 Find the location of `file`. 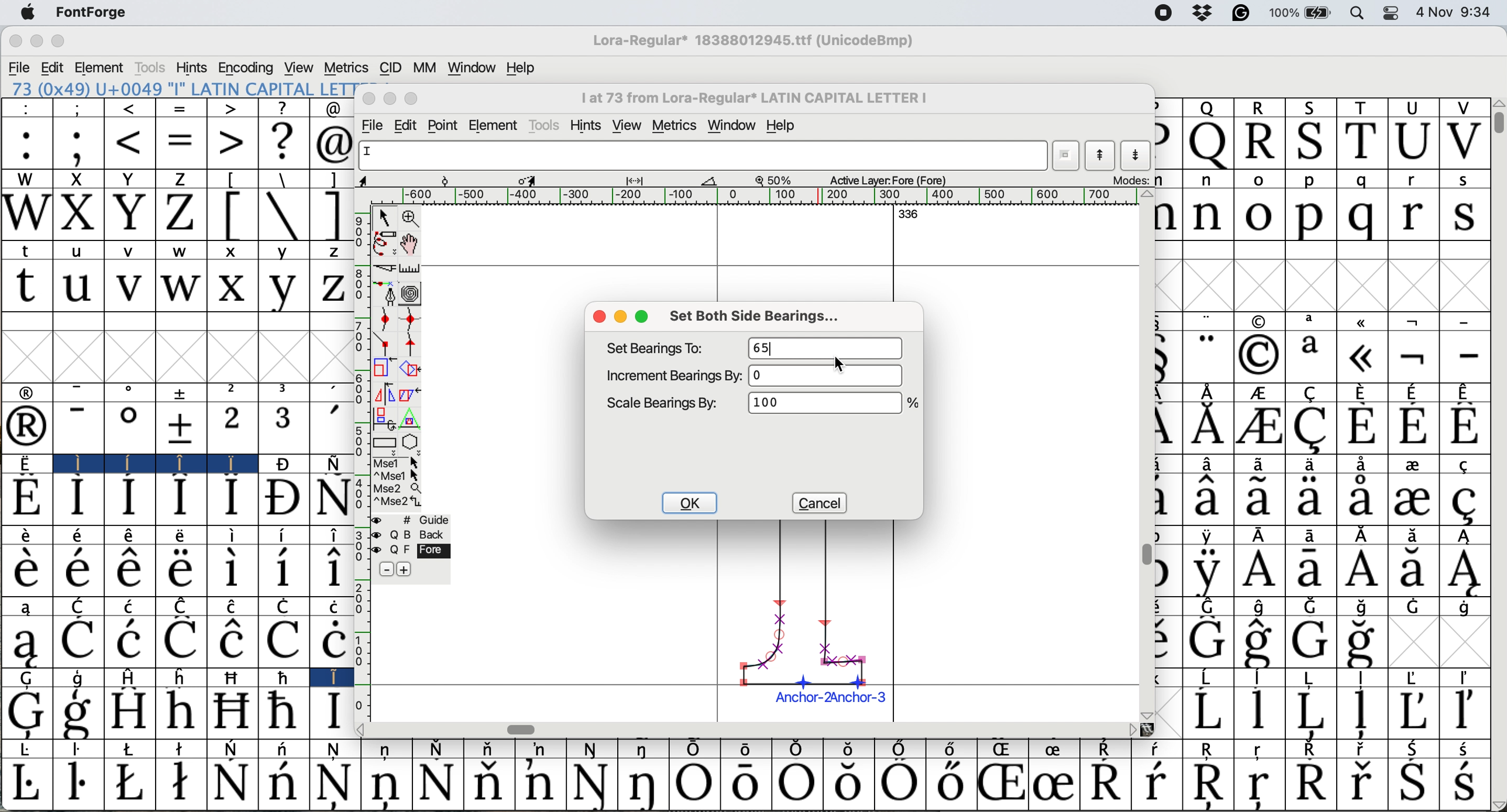

file is located at coordinates (375, 125).